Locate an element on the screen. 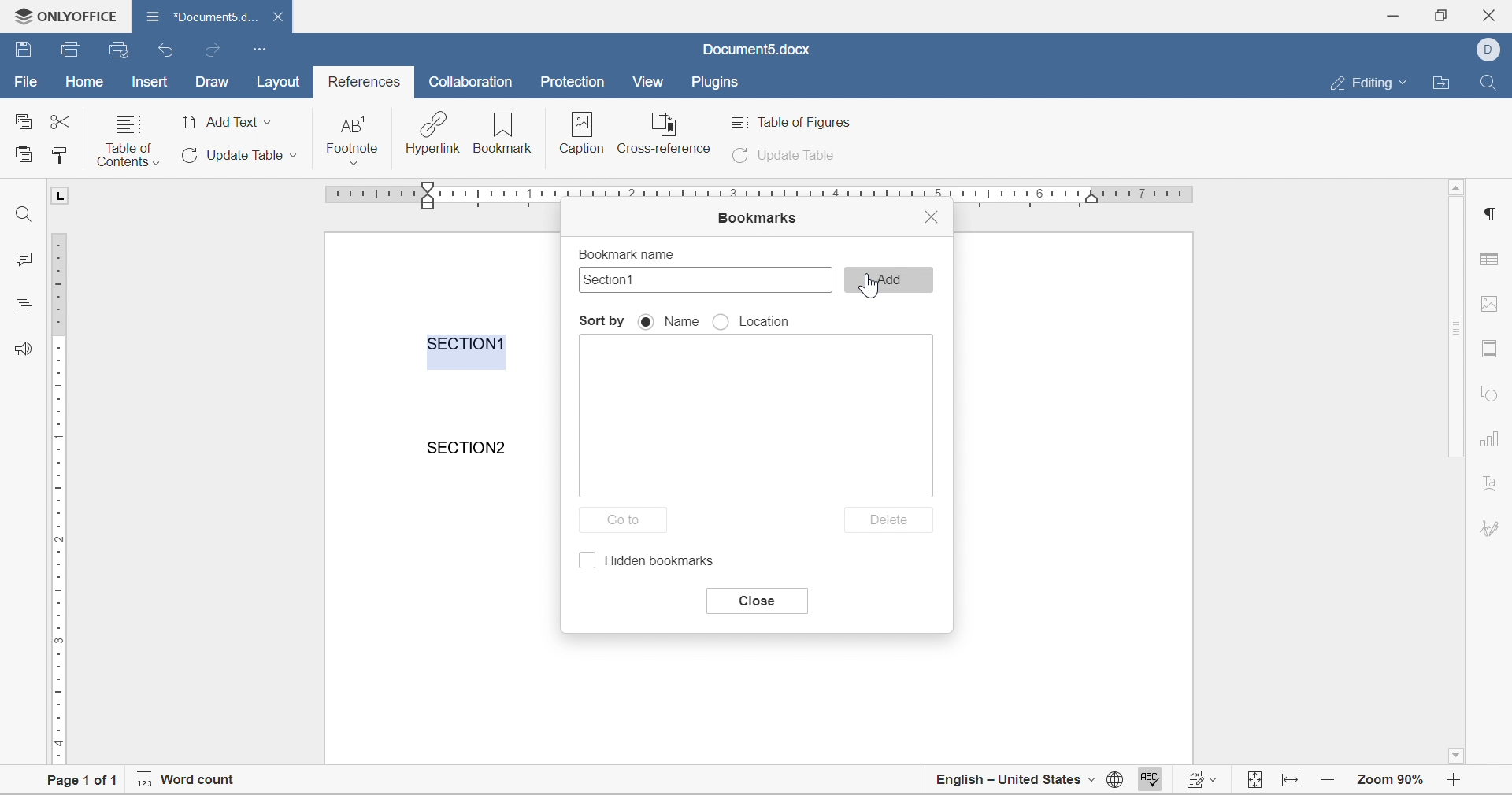 Image resolution: width=1512 pixels, height=795 pixels. word count is located at coordinates (185, 782).